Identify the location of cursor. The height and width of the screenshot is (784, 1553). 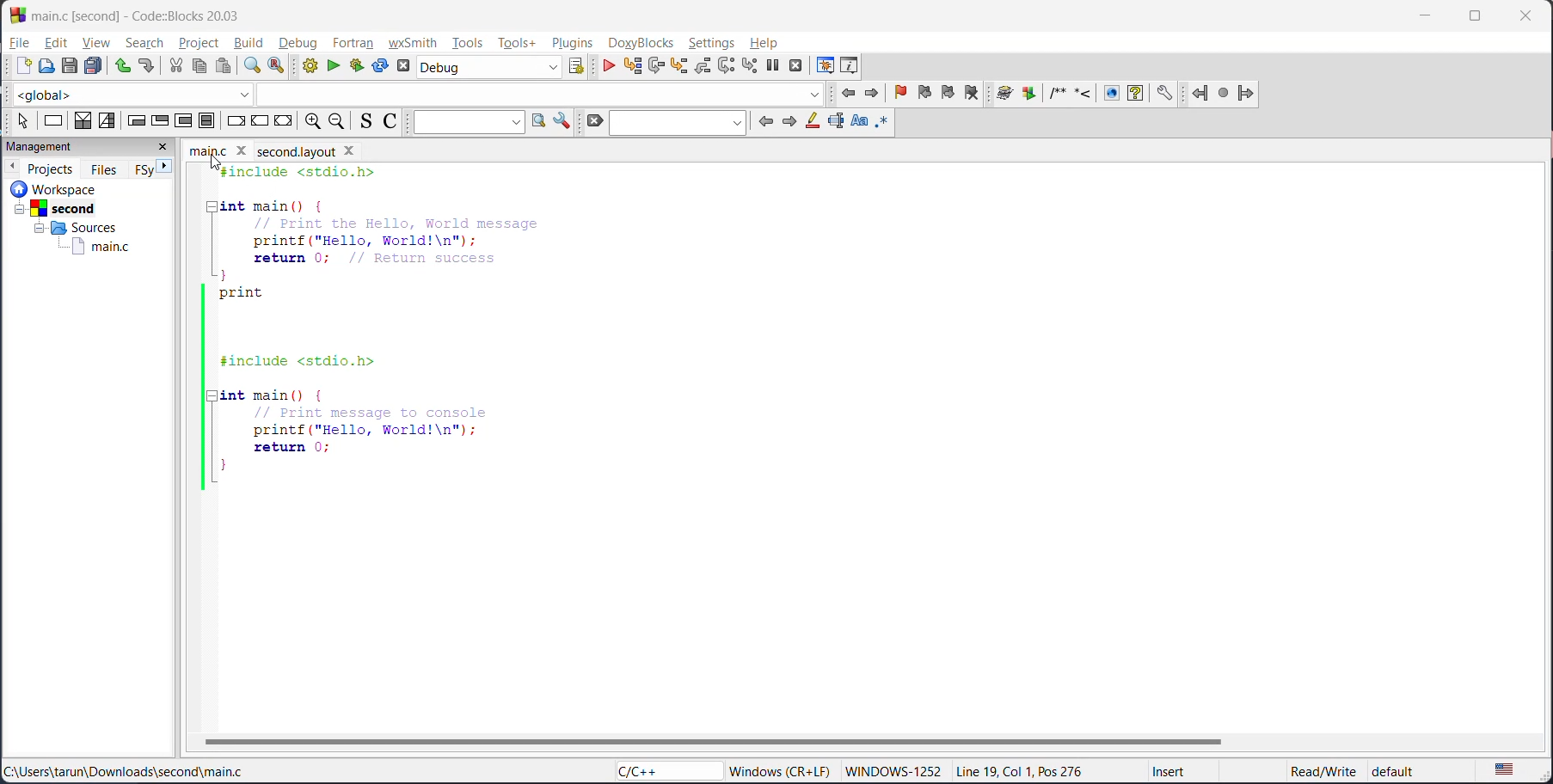
(218, 162).